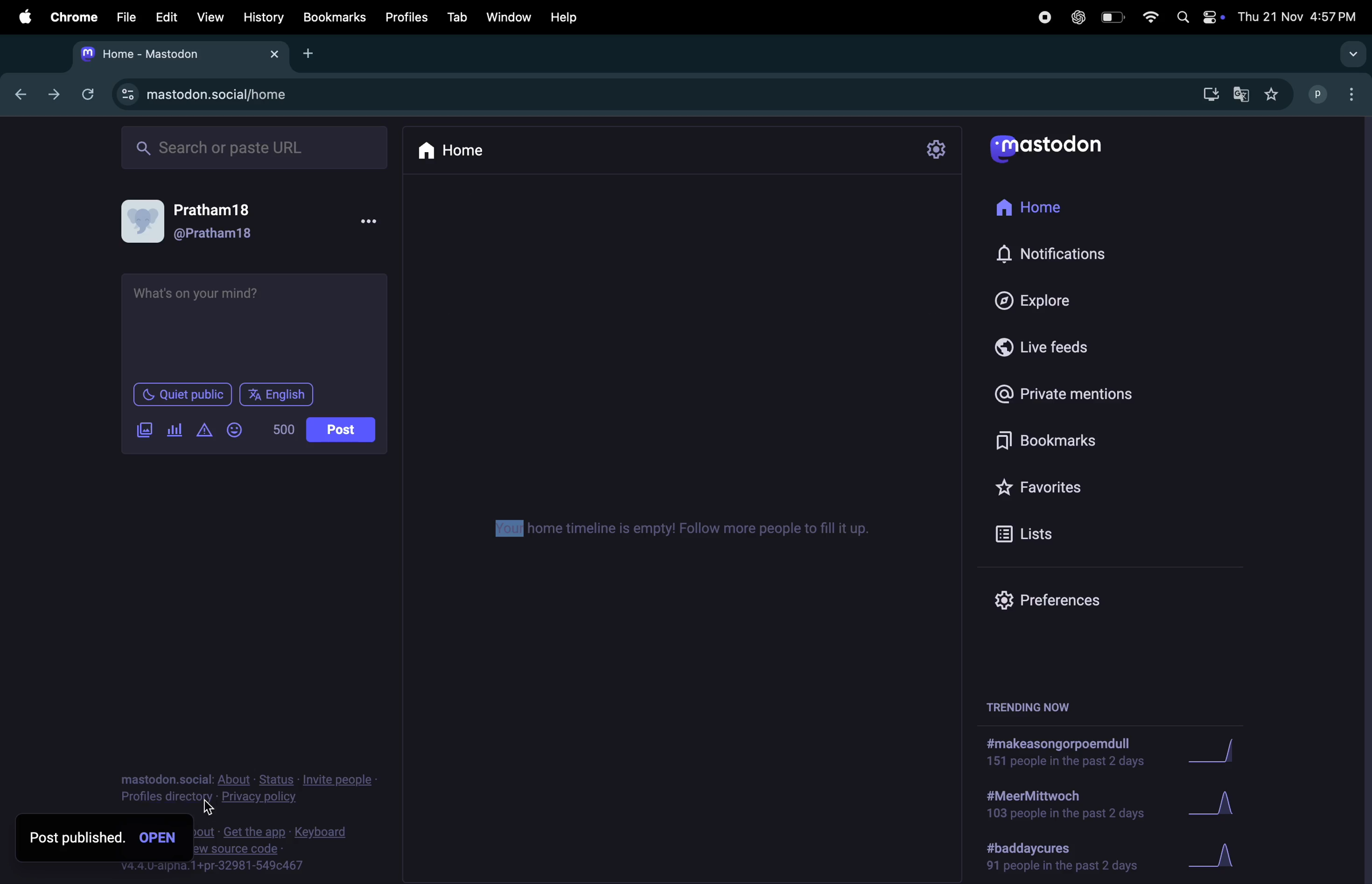 This screenshot has width=1372, height=884. I want to click on bookmarks, so click(335, 18).